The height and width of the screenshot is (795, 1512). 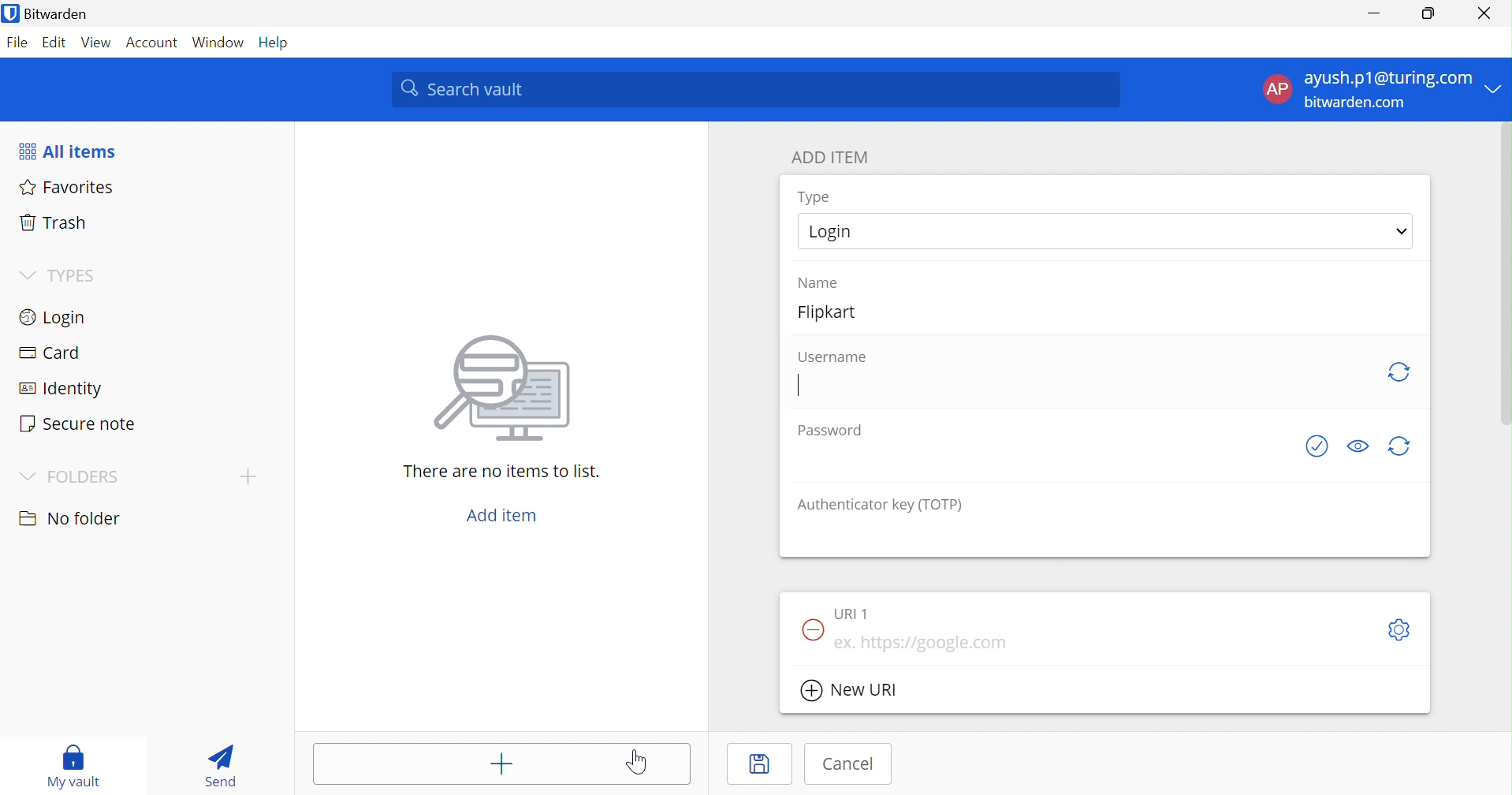 What do you see at coordinates (1362, 104) in the screenshot?
I see `bitwarden.com` at bounding box center [1362, 104].